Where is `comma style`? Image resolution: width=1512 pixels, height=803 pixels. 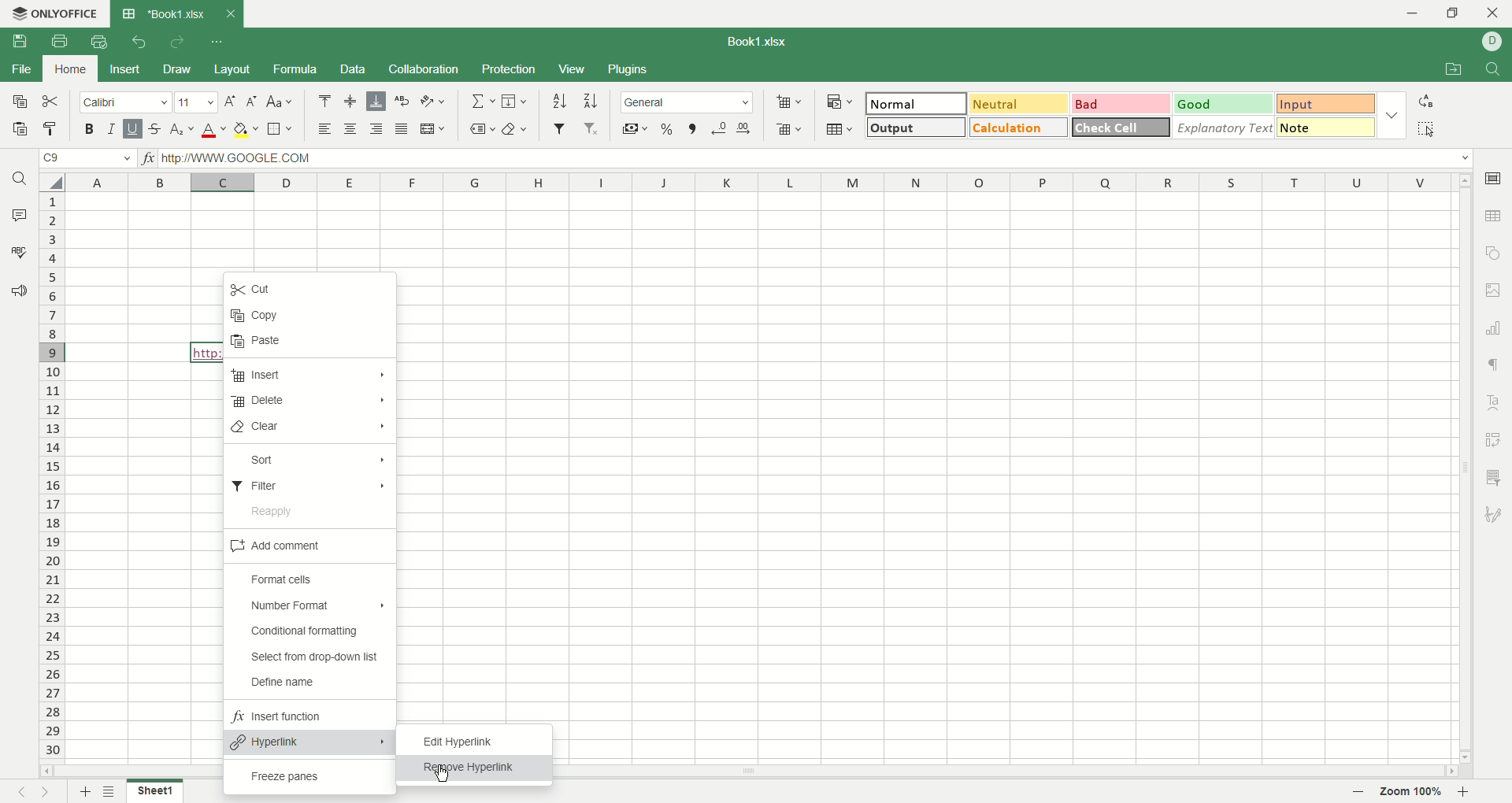 comma style is located at coordinates (693, 128).